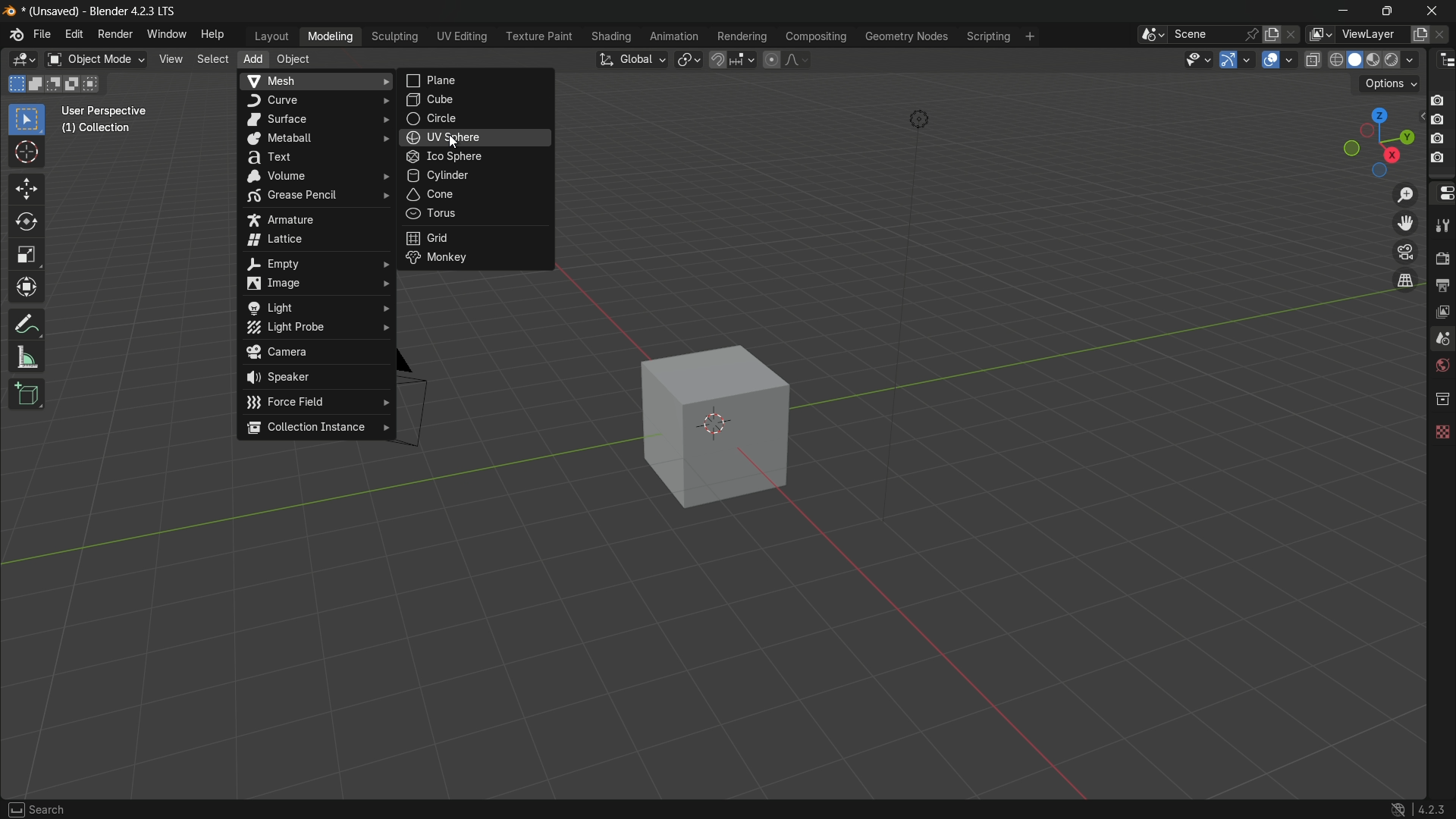 The image size is (1456, 819). Describe the element at coordinates (1446, 36) in the screenshot. I see `remove layer` at that location.